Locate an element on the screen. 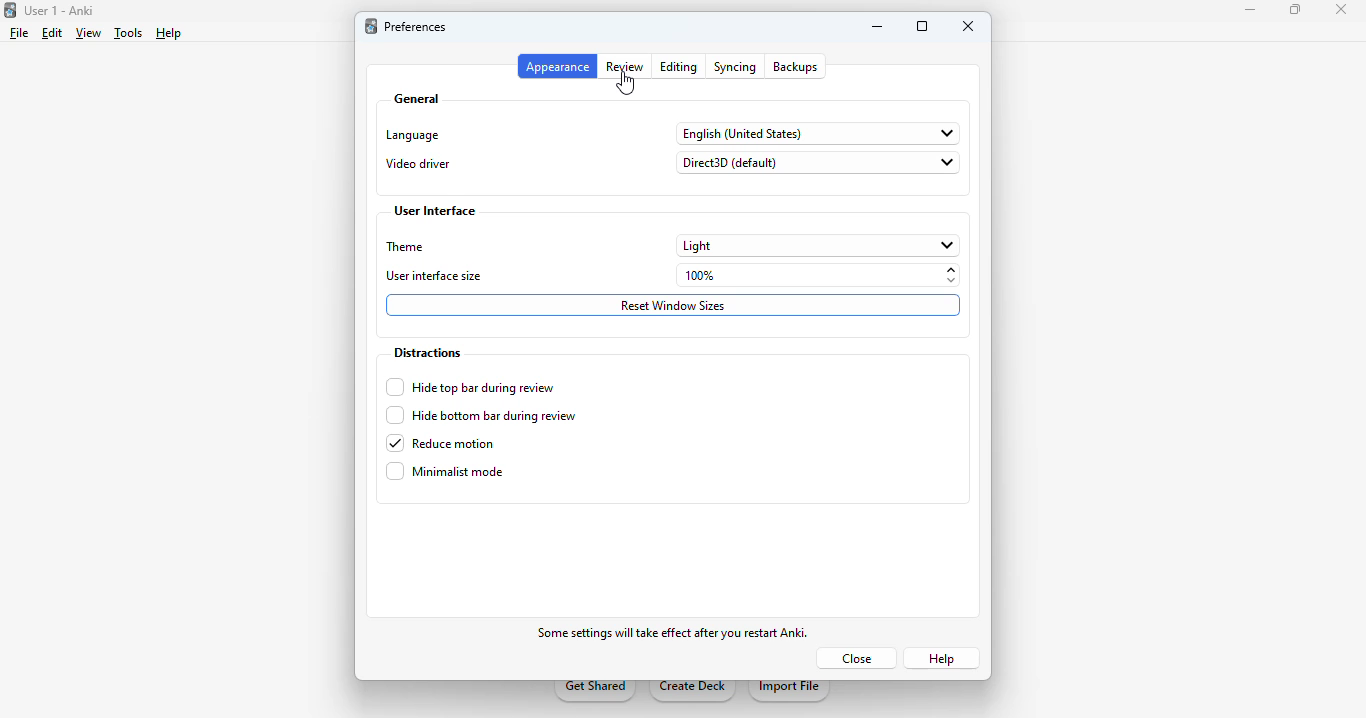  close is located at coordinates (1341, 12).